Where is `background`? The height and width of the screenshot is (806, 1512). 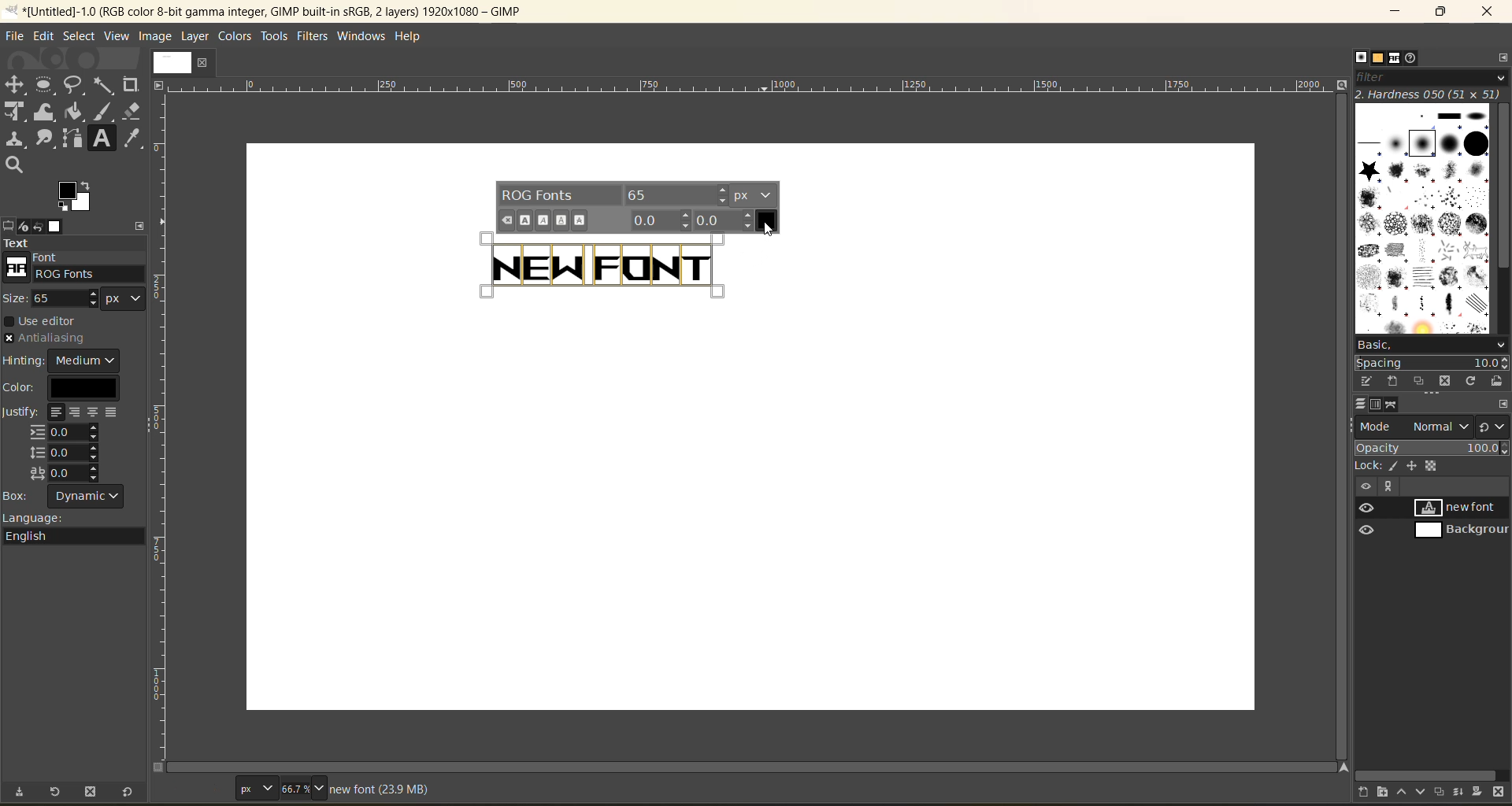 background is located at coordinates (1459, 531).